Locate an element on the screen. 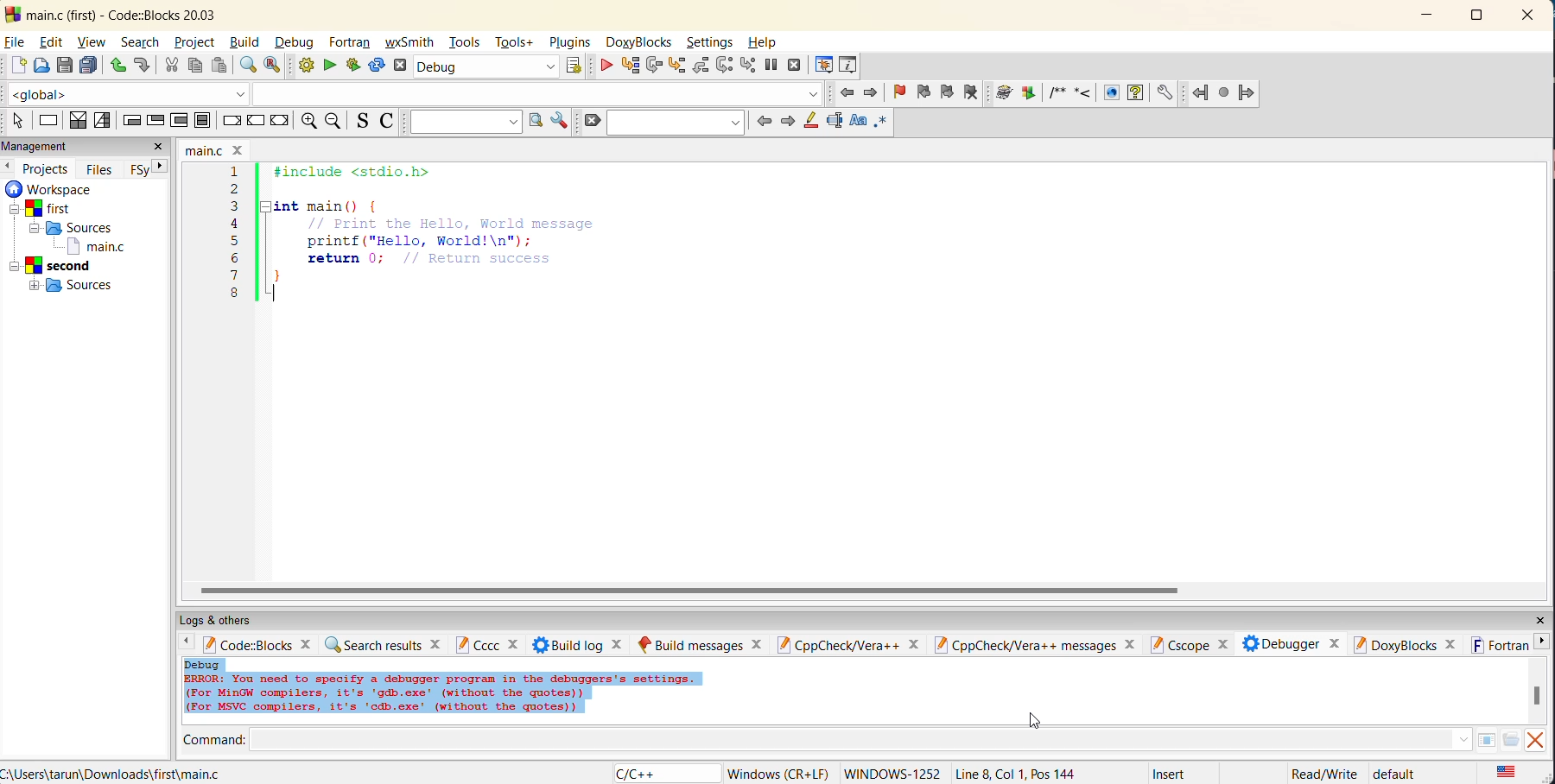 Image resolution: width=1555 pixels, height=784 pixels. Last jump is located at coordinates (1222, 93).